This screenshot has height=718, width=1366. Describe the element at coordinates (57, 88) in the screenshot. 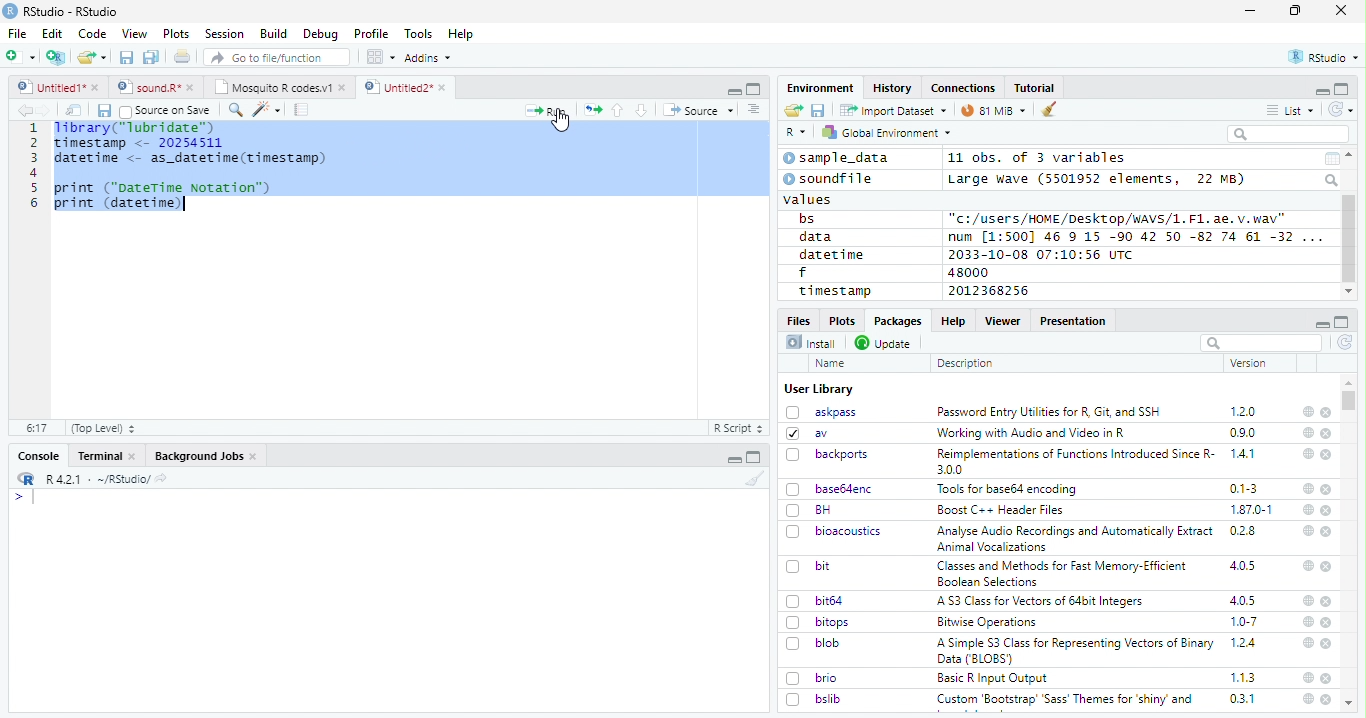

I see `Untitled1*` at that location.